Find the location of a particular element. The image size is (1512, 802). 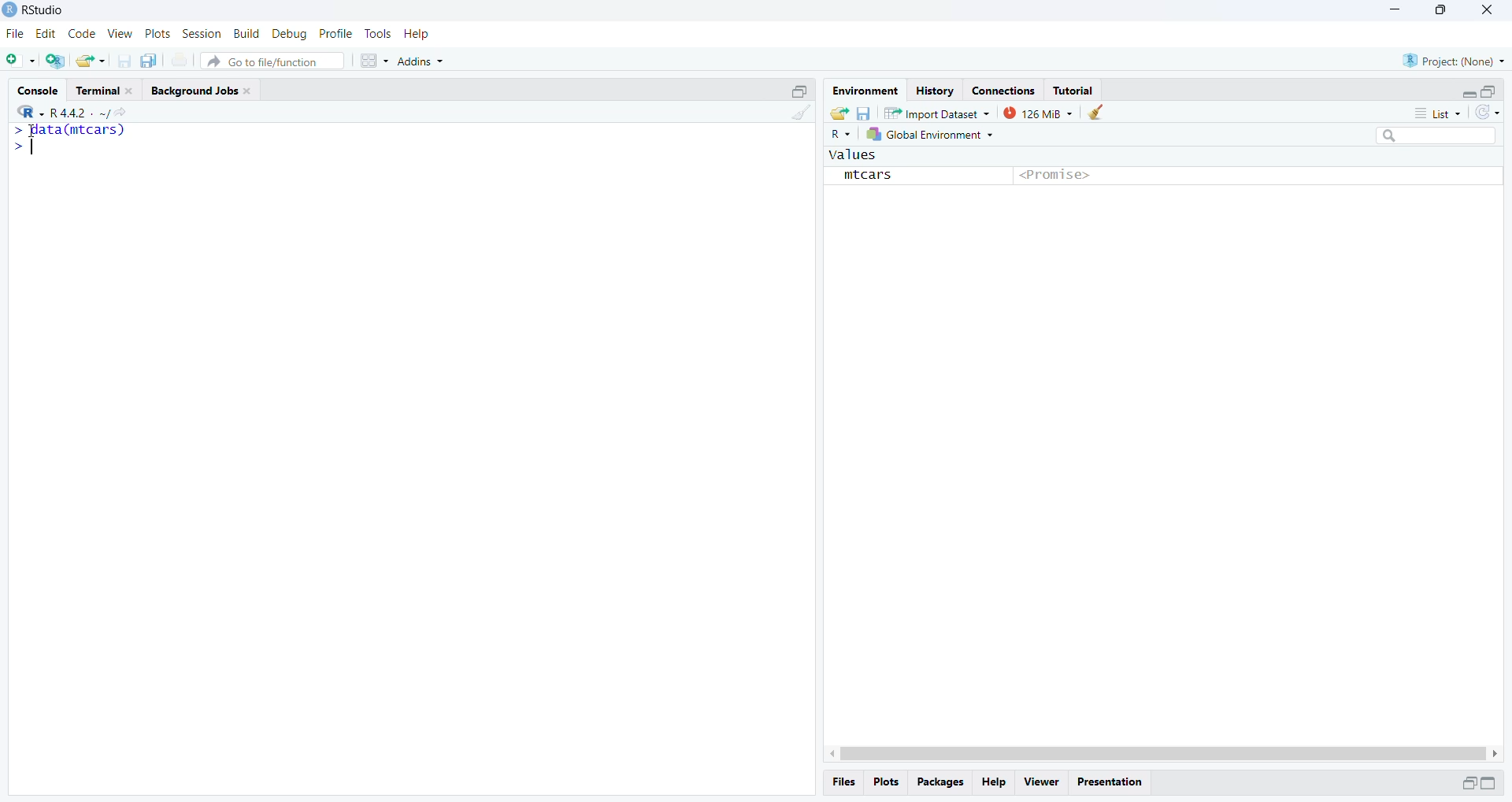

mtcars is located at coordinates (866, 176).